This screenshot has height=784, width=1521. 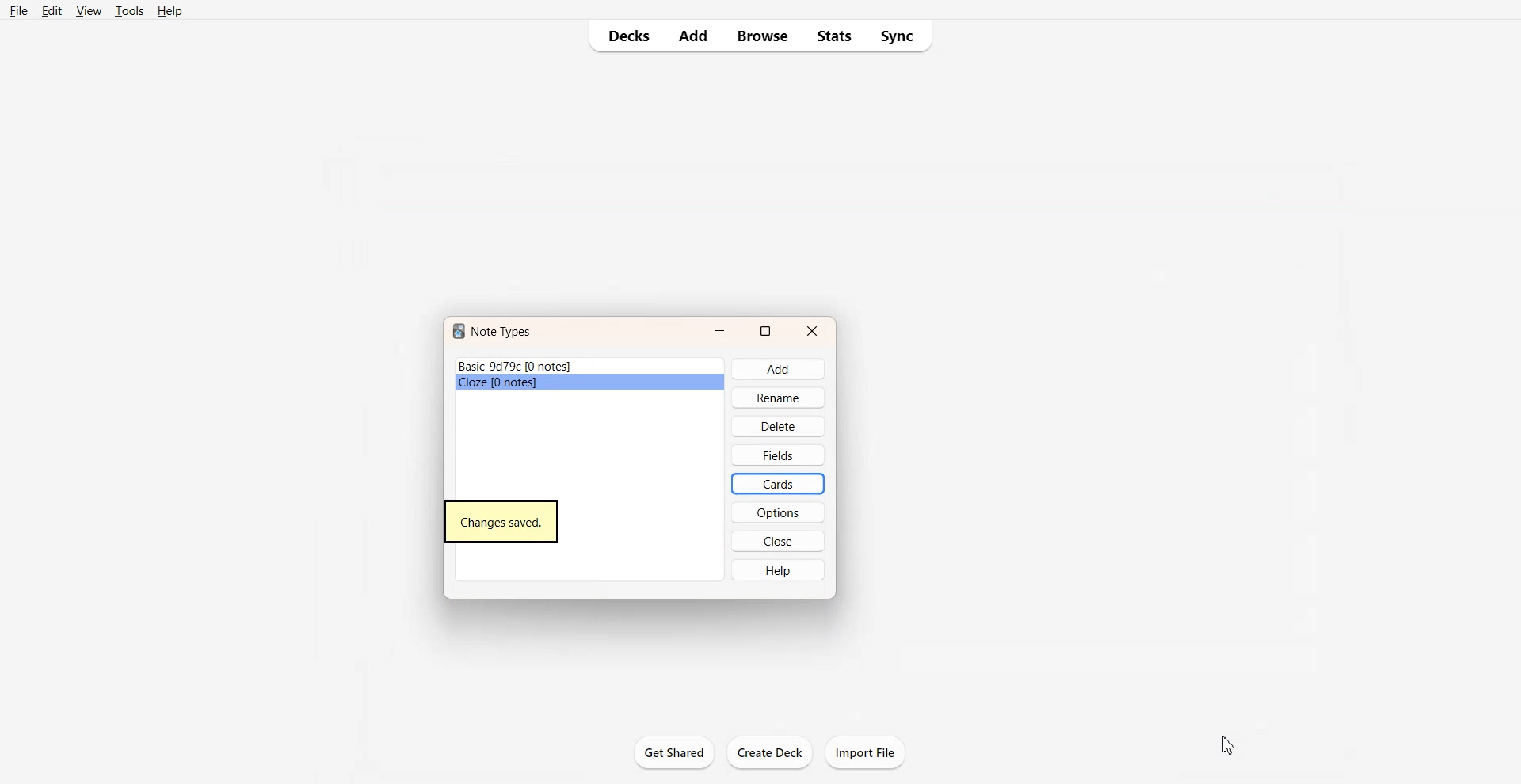 What do you see at coordinates (785, 512) in the screenshot?
I see `options` at bounding box center [785, 512].